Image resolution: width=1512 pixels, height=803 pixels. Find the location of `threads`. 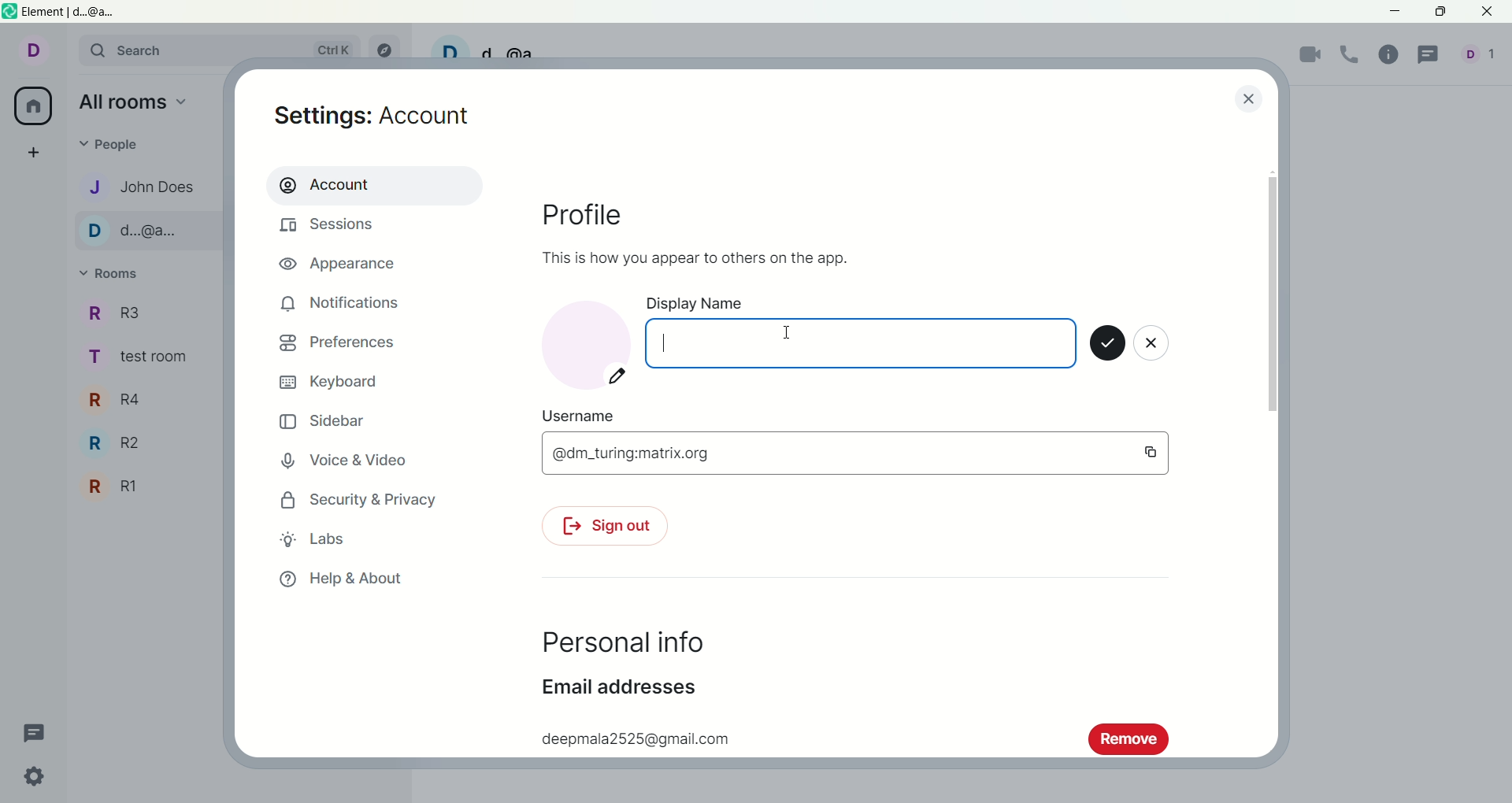

threads is located at coordinates (1431, 55).